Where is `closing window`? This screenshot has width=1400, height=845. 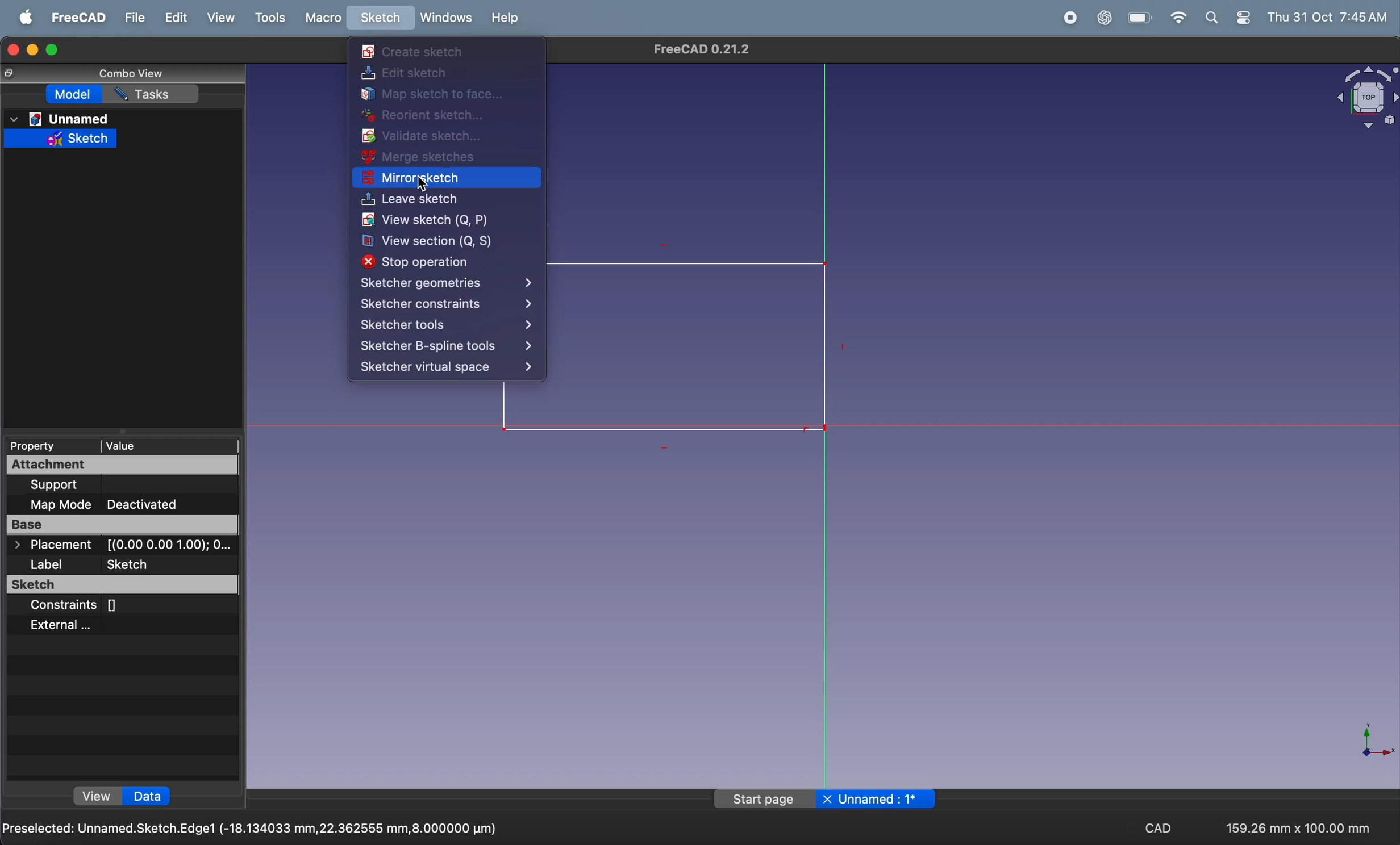
closing window is located at coordinates (12, 49).